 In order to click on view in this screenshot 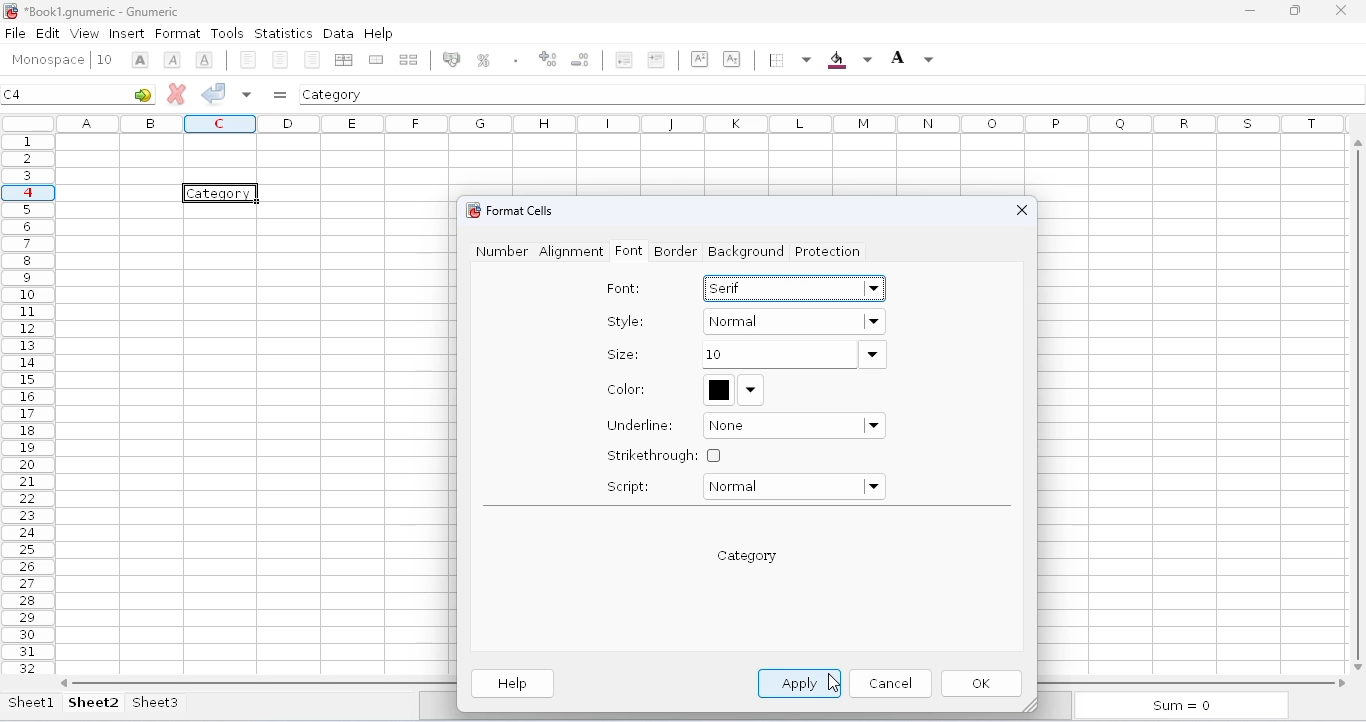, I will do `click(85, 33)`.